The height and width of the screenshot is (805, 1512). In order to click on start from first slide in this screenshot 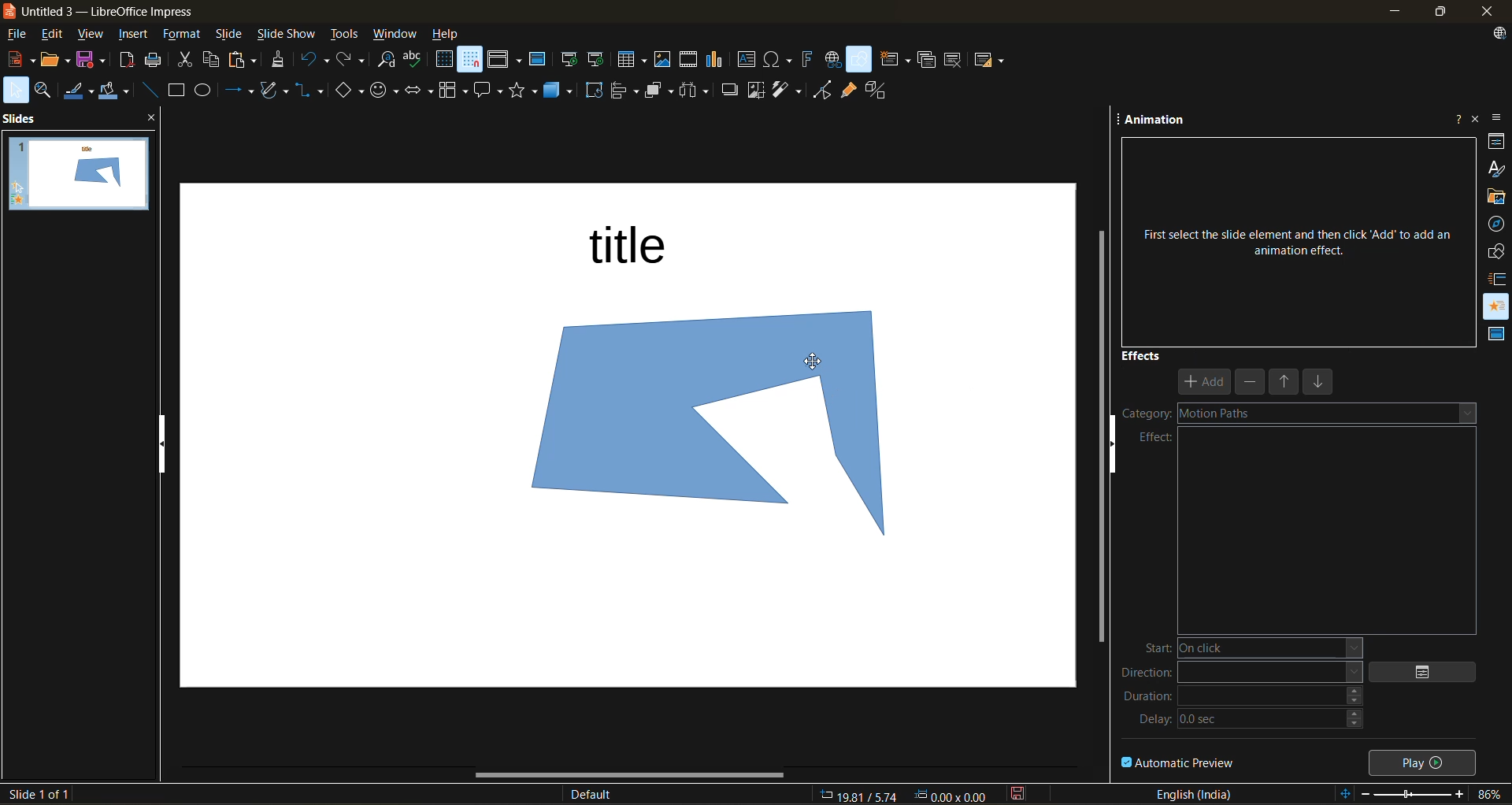, I will do `click(567, 59)`.